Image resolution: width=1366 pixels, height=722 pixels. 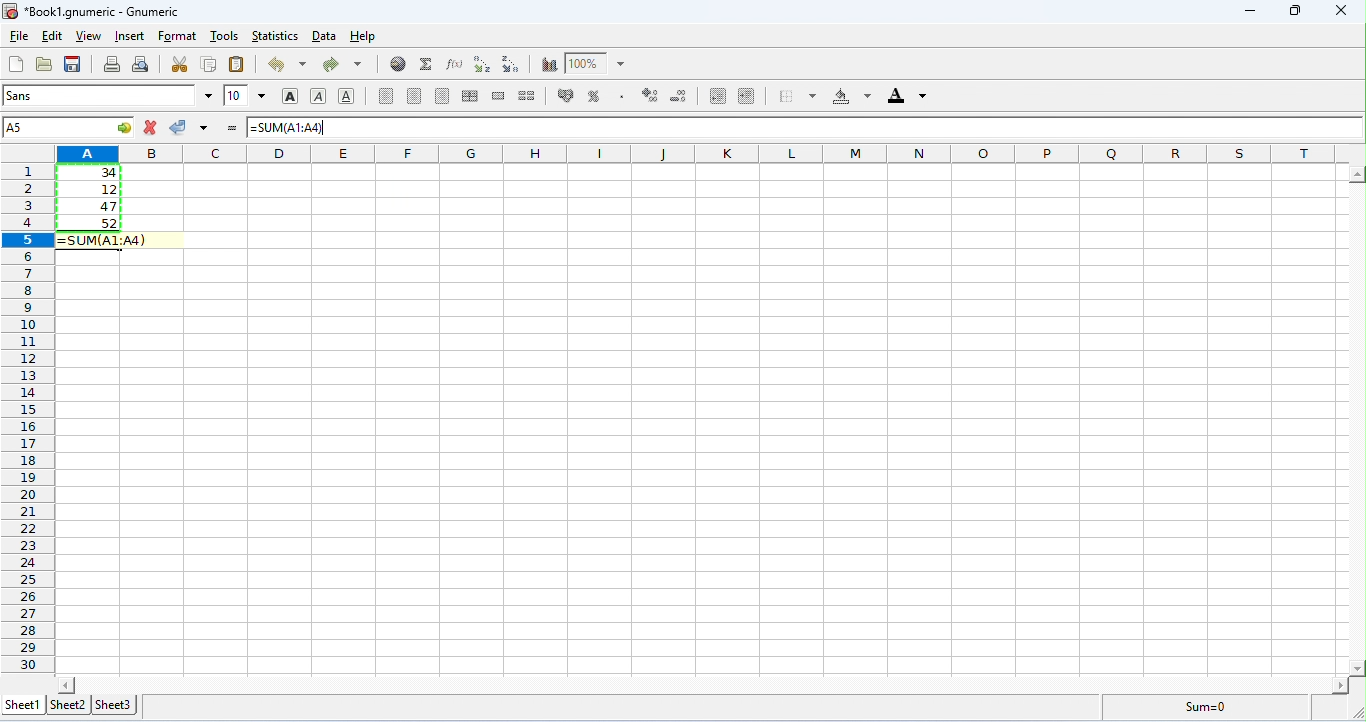 What do you see at coordinates (101, 242) in the screenshot?
I see `formula for sum in selected cell` at bounding box center [101, 242].